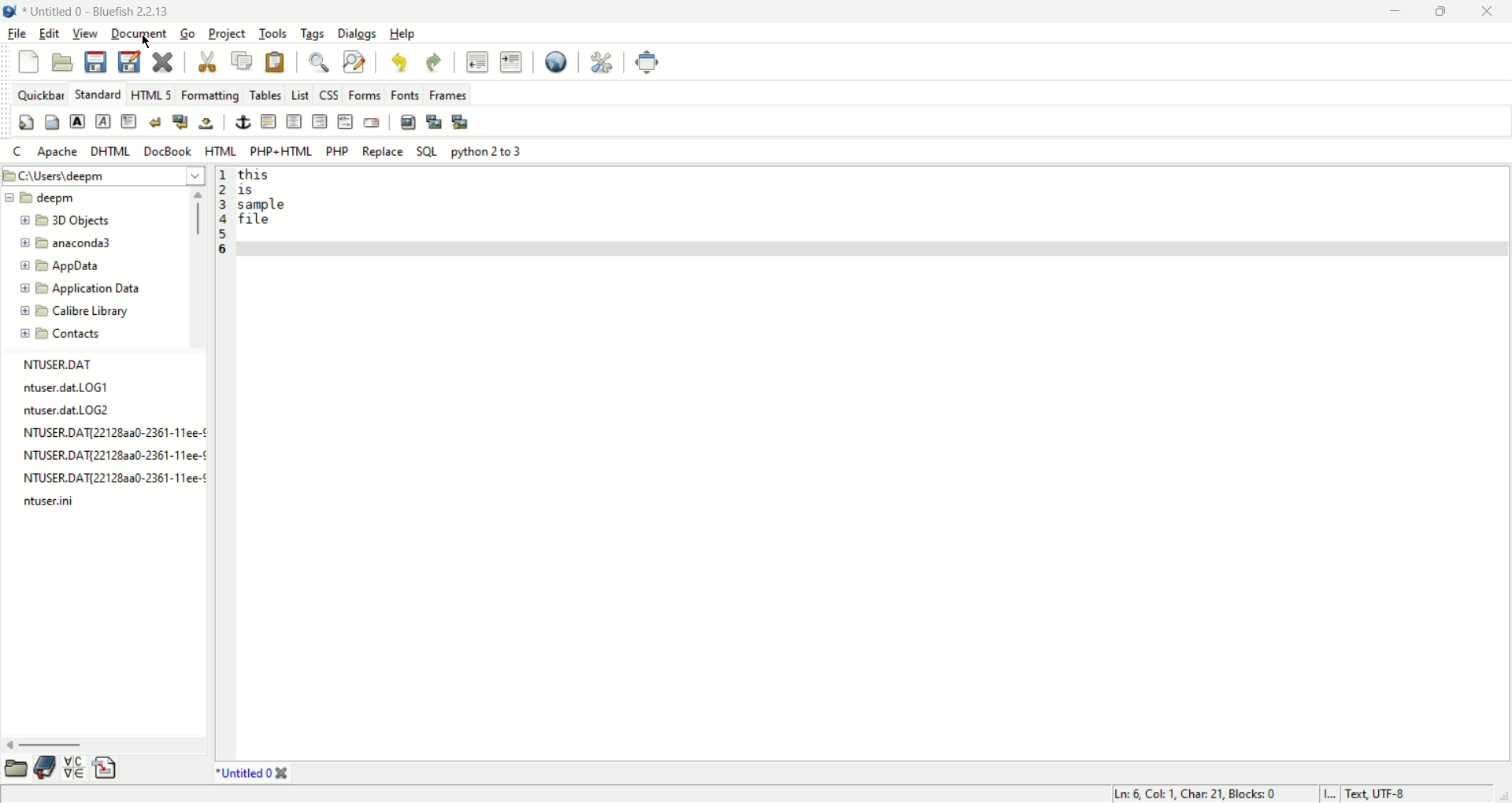 The width and height of the screenshot is (1512, 803). I want to click on emphasis, so click(102, 120).